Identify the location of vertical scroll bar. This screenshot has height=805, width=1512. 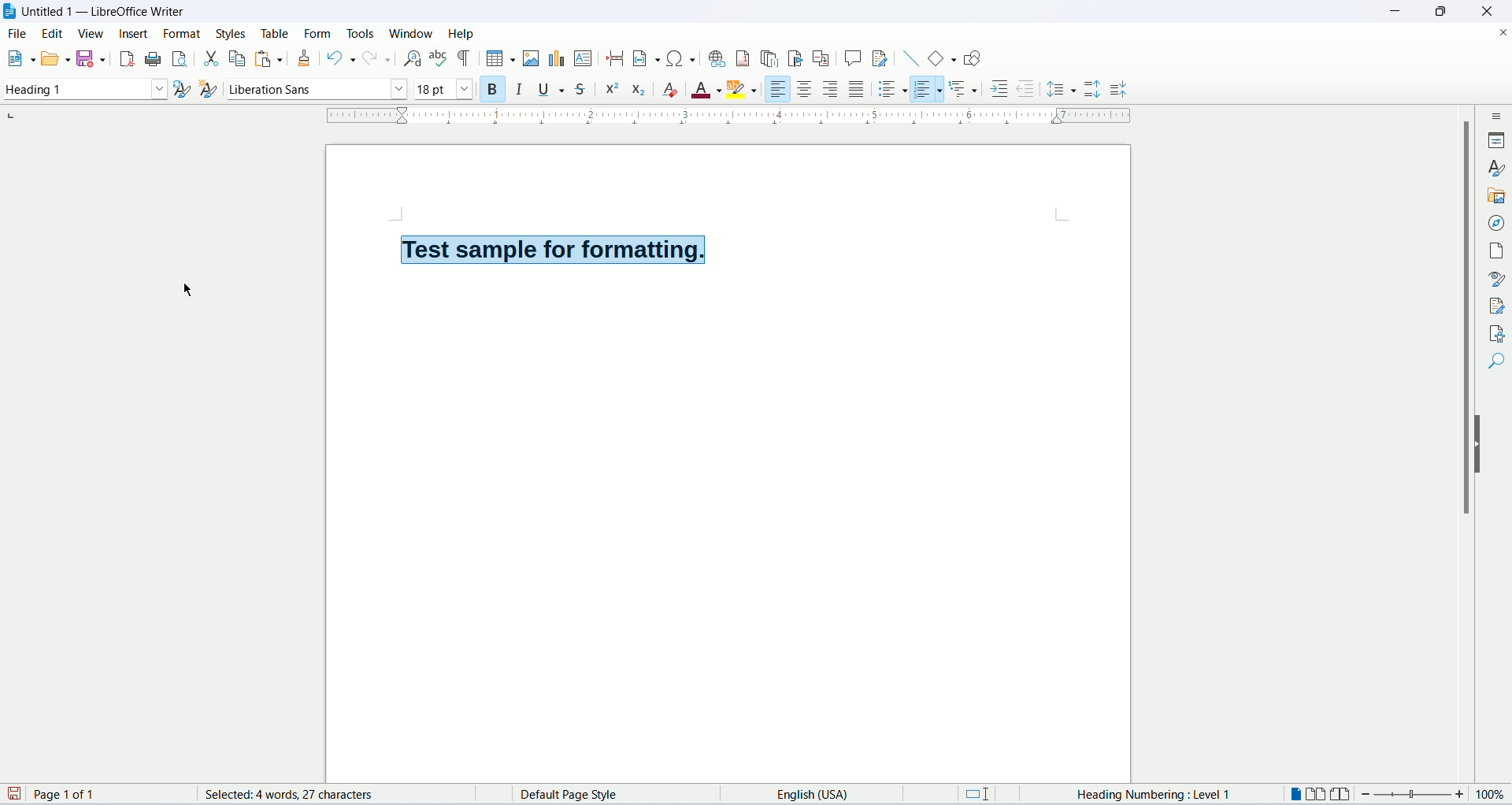
(1462, 448).